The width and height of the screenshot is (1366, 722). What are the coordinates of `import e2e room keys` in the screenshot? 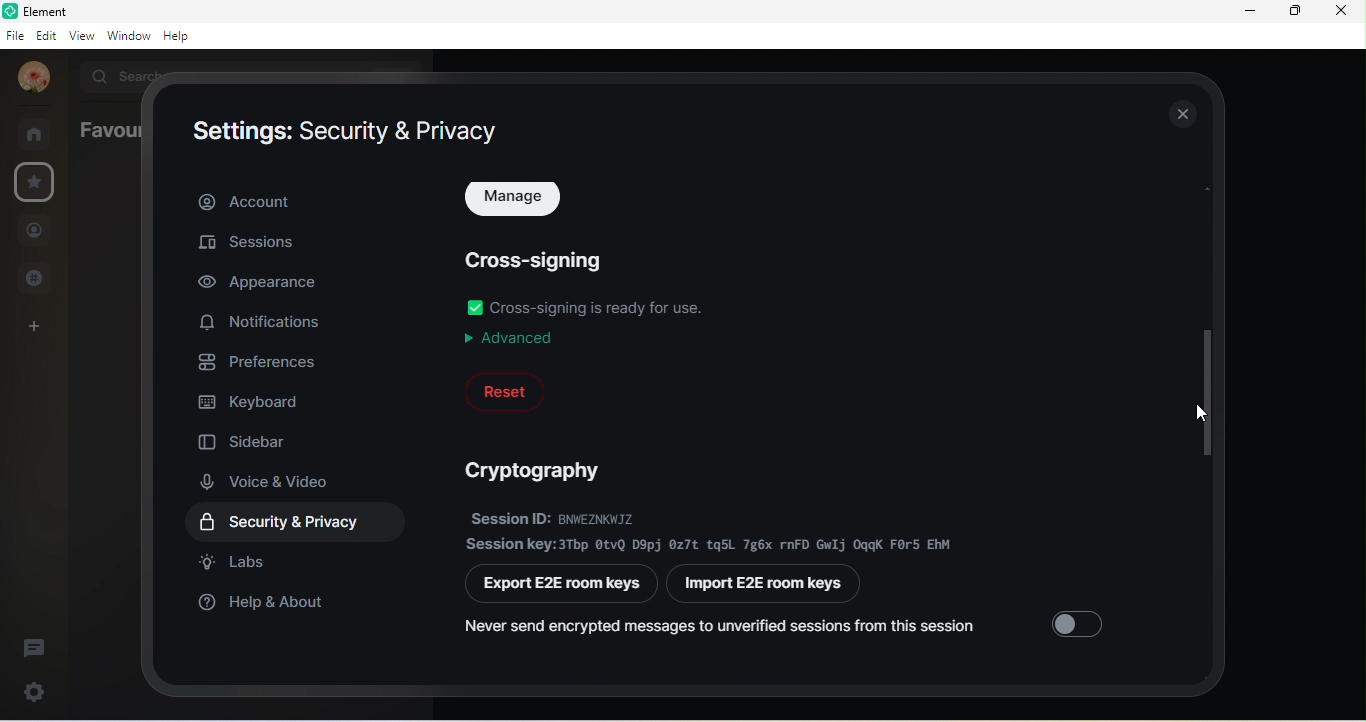 It's located at (771, 586).